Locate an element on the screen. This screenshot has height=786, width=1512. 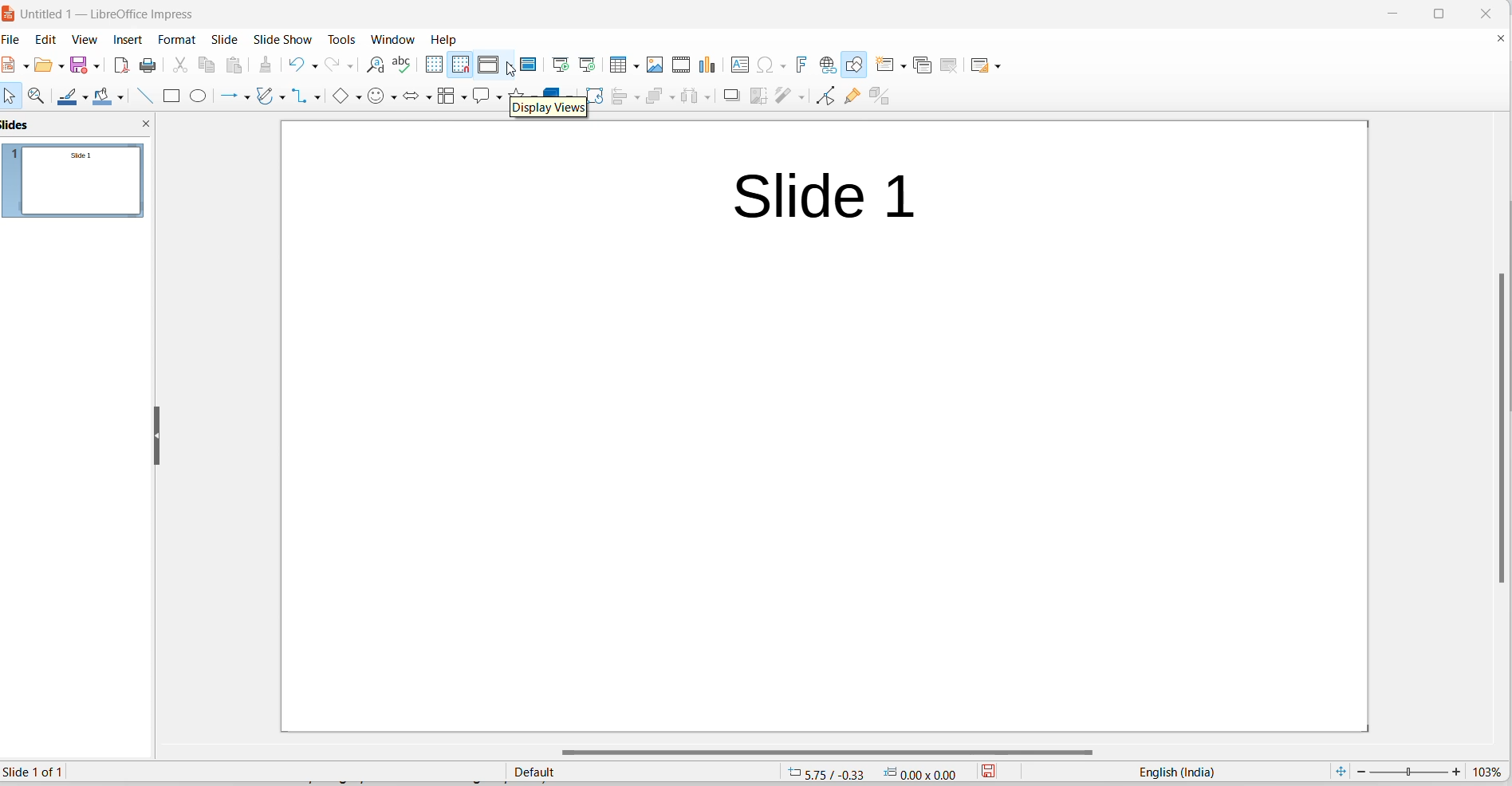
start from current slide is located at coordinates (586, 64).